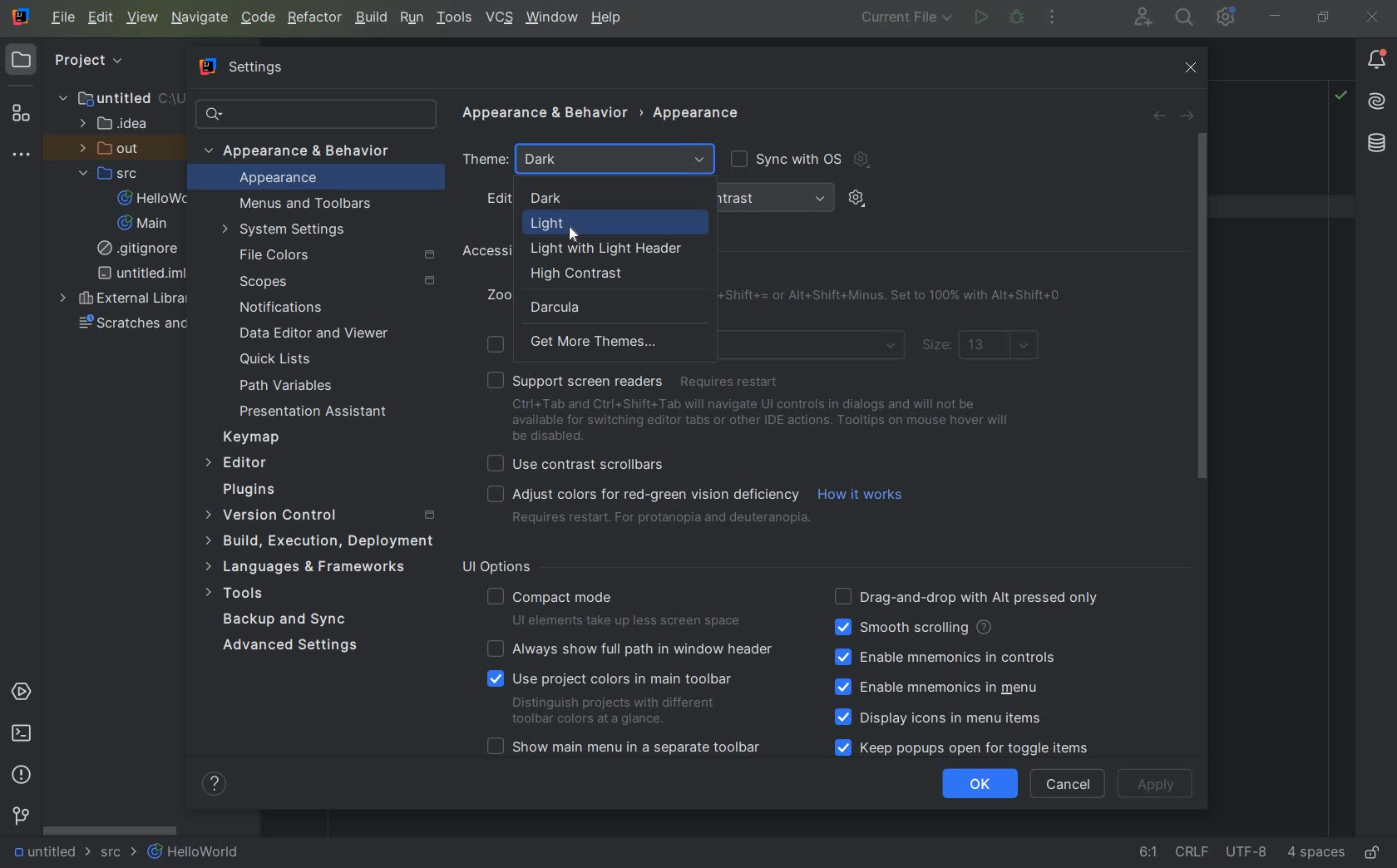 The image size is (1397, 868). I want to click on PRESENTATION ASSISTANT, so click(319, 412).